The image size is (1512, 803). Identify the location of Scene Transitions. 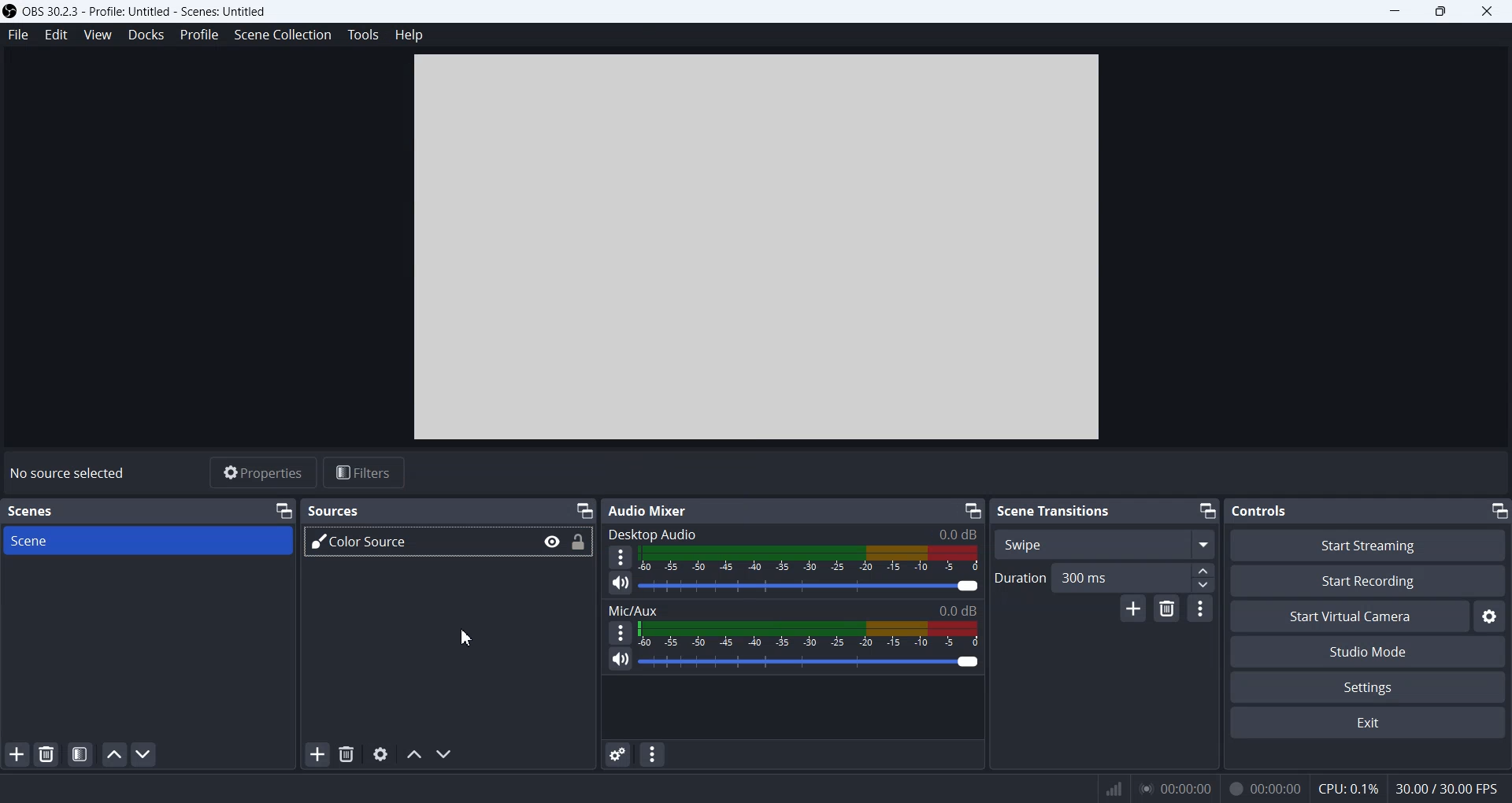
(1055, 510).